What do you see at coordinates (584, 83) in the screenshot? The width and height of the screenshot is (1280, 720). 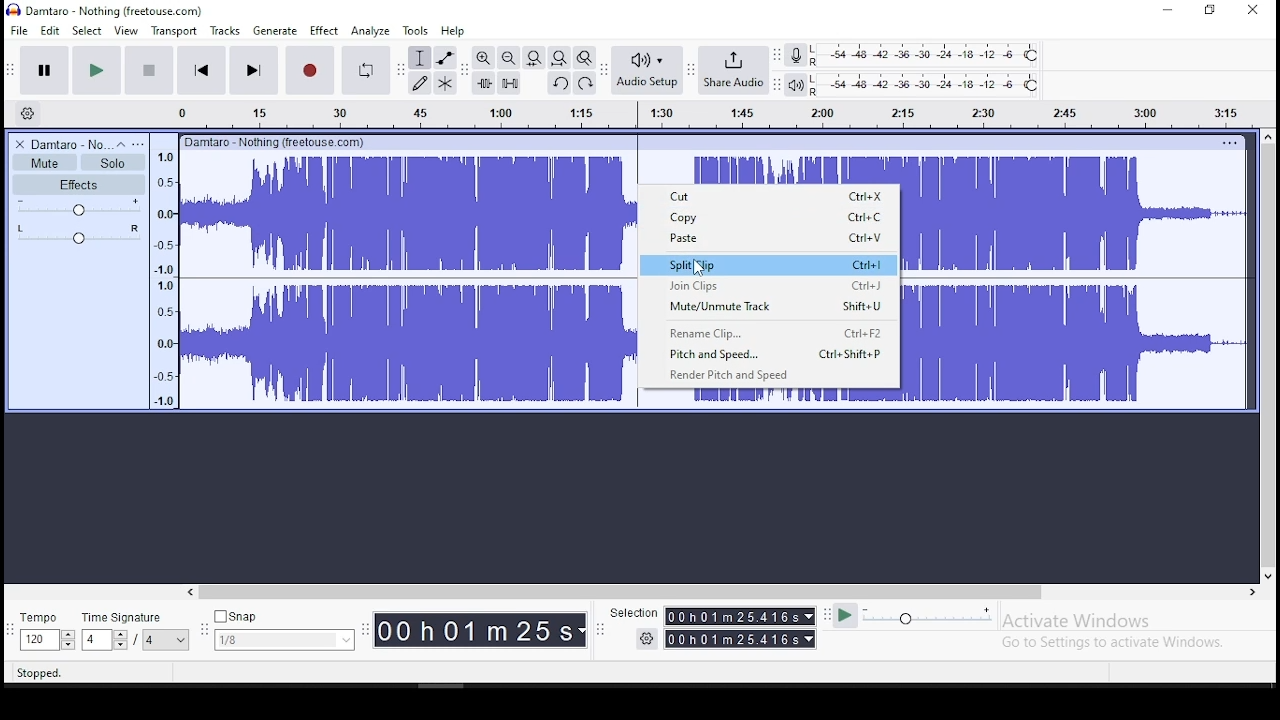 I see `redo` at bounding box center [584, 83].